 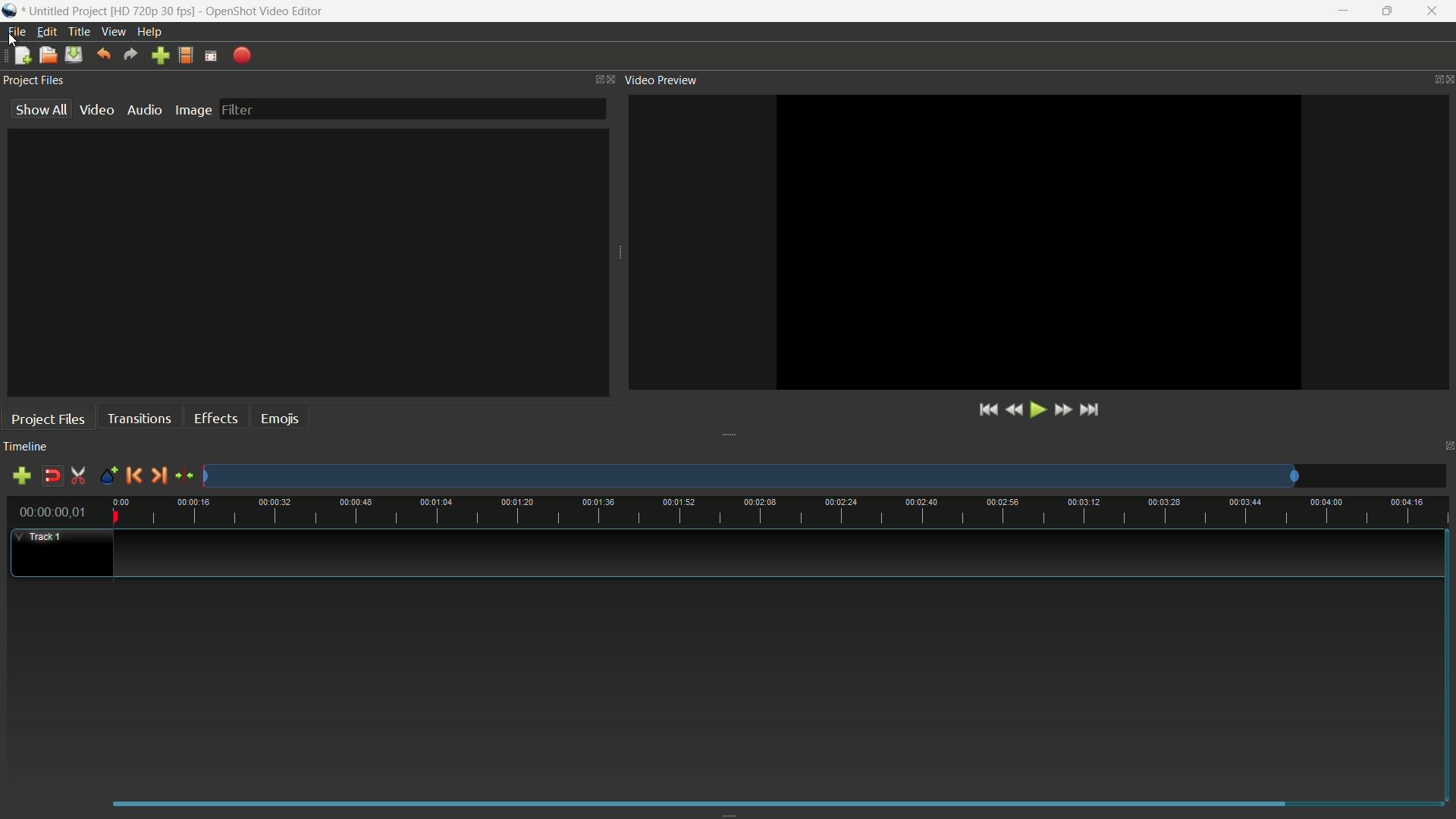 I want to click on video, so click(x=98, y=108).